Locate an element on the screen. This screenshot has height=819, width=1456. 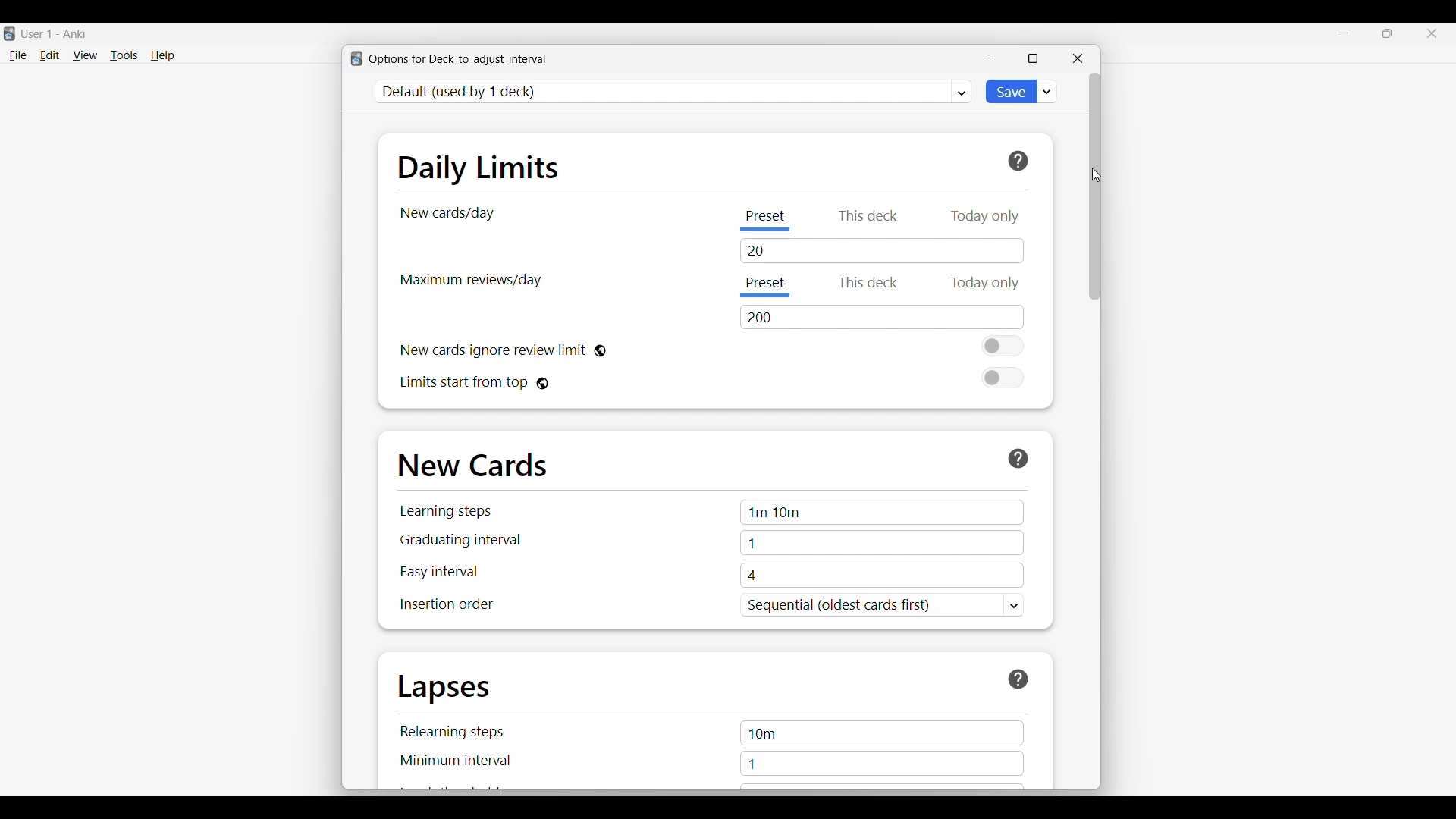
Limits start from top is located at coordinates (463, 383).